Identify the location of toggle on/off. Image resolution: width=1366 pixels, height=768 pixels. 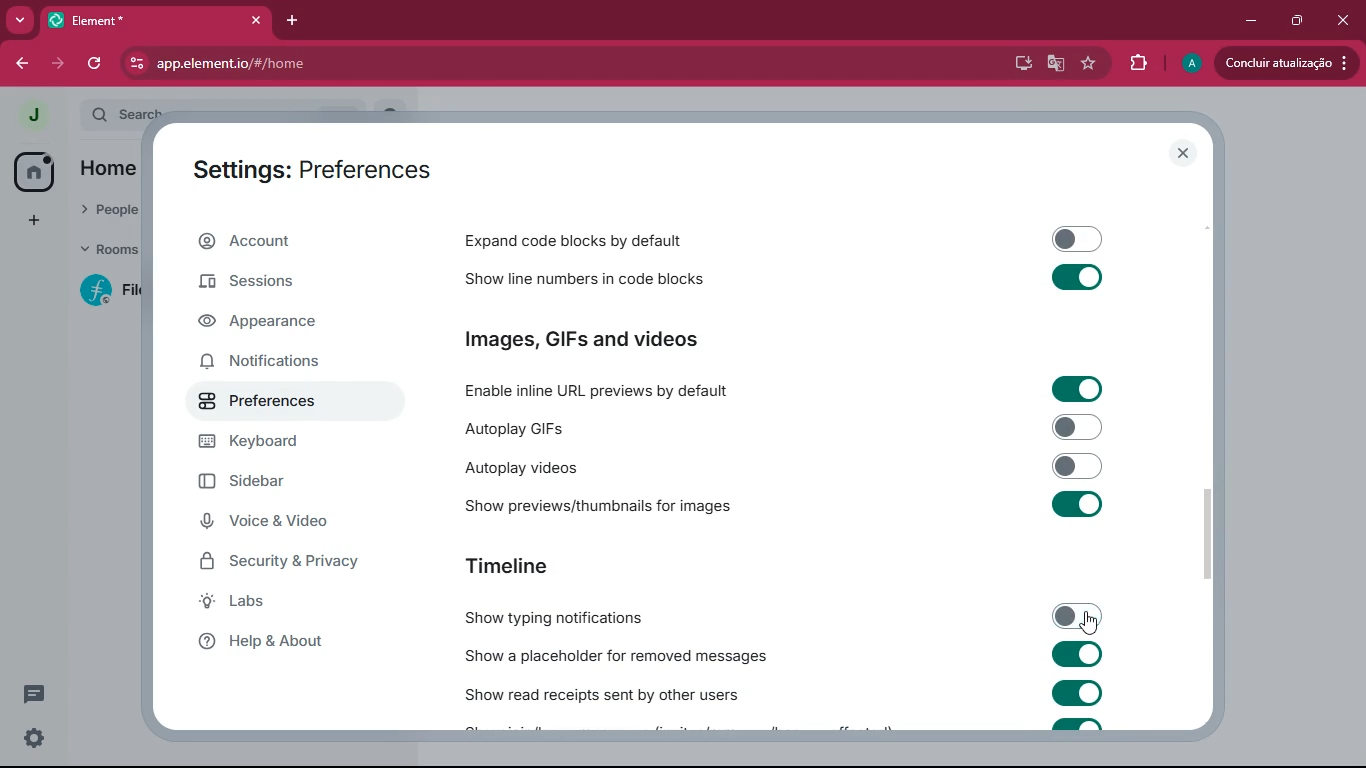
(1077, 654).